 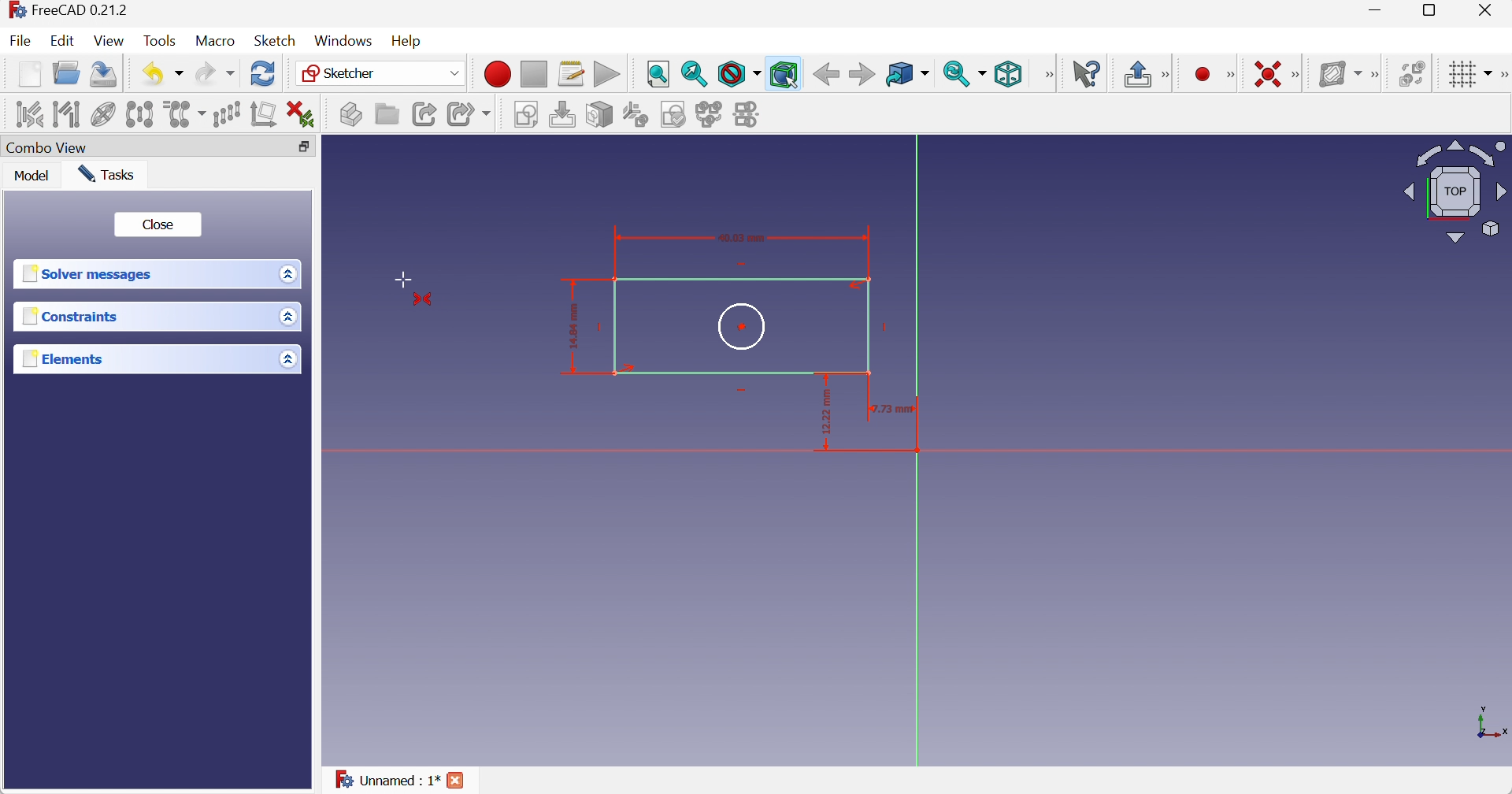 I want to click on Refresh, so click(x=264, y=72).